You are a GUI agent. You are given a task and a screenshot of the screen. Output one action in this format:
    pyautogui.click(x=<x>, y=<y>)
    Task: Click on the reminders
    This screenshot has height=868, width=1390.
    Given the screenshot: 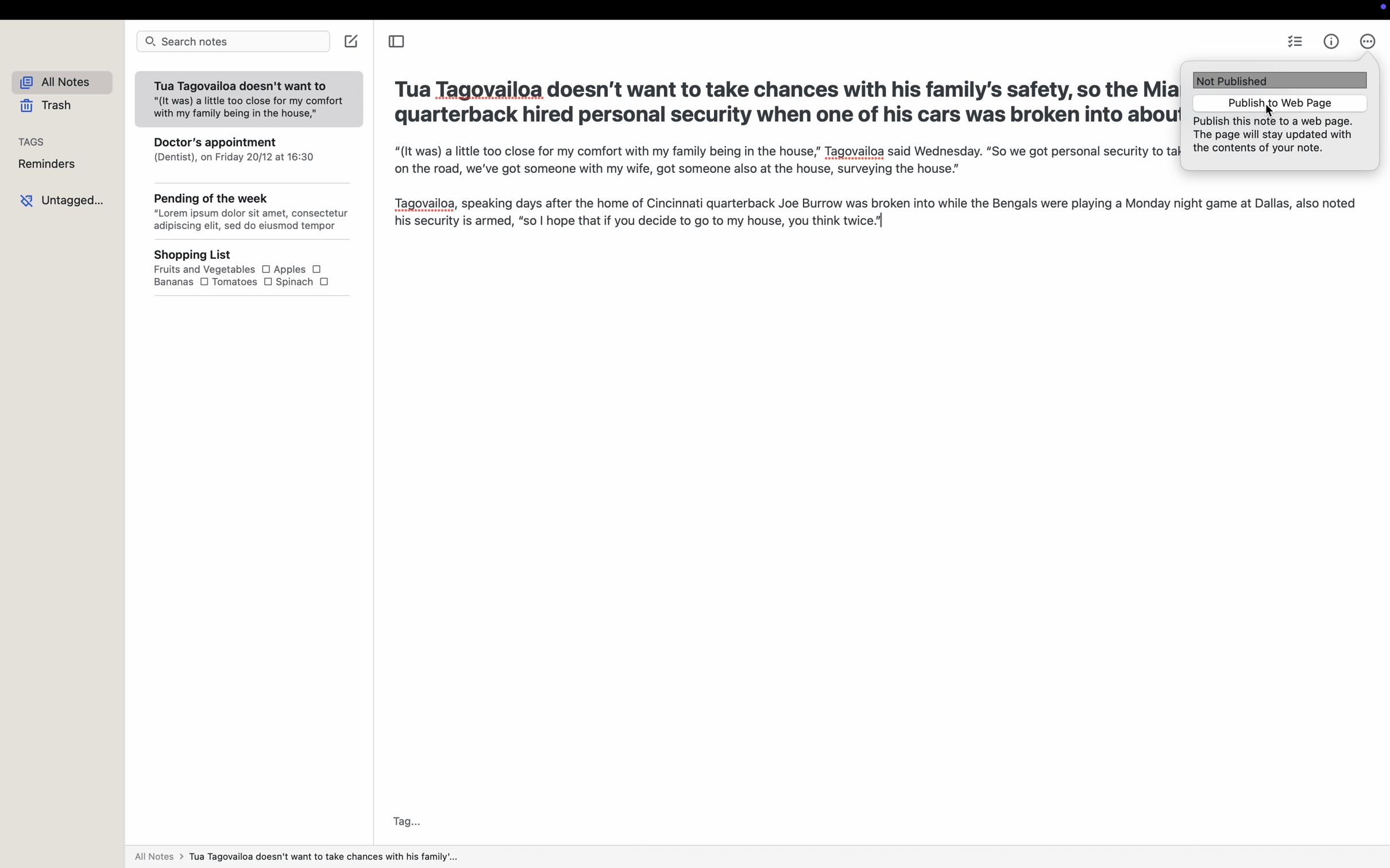 What is the action you would take?
    pyautogui.click(x=51, y=165)
    